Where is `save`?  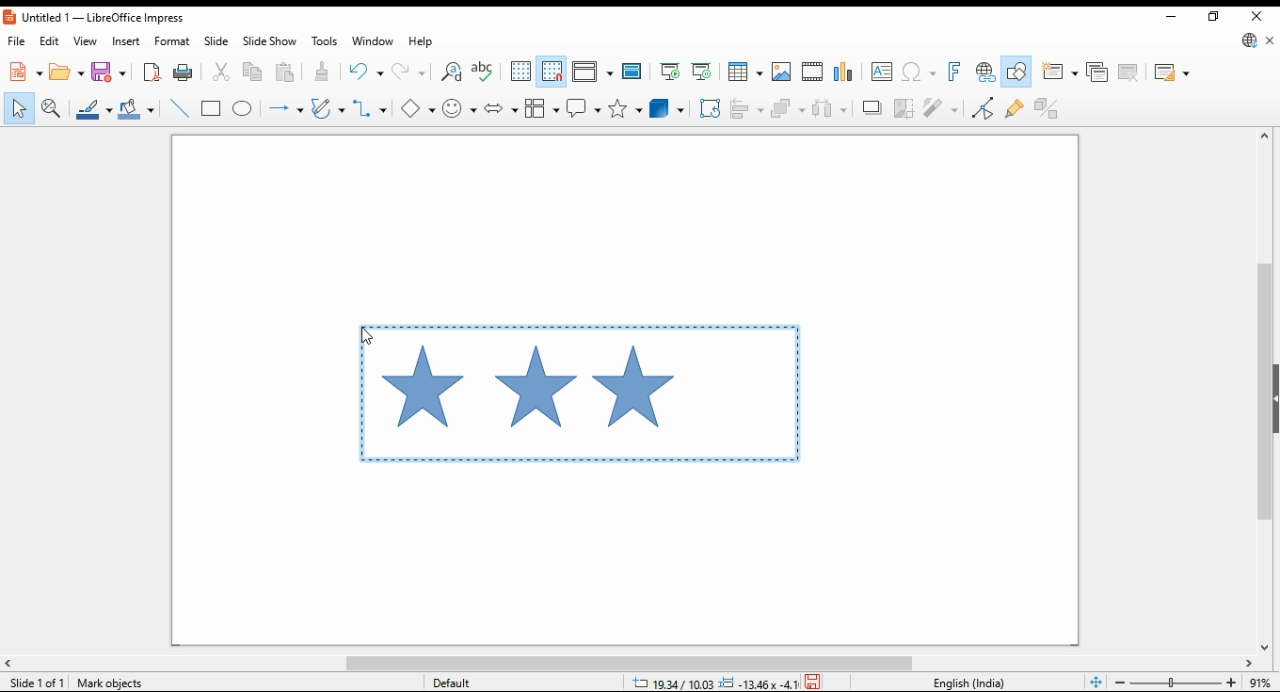 save is located at coordinates (109, 71).